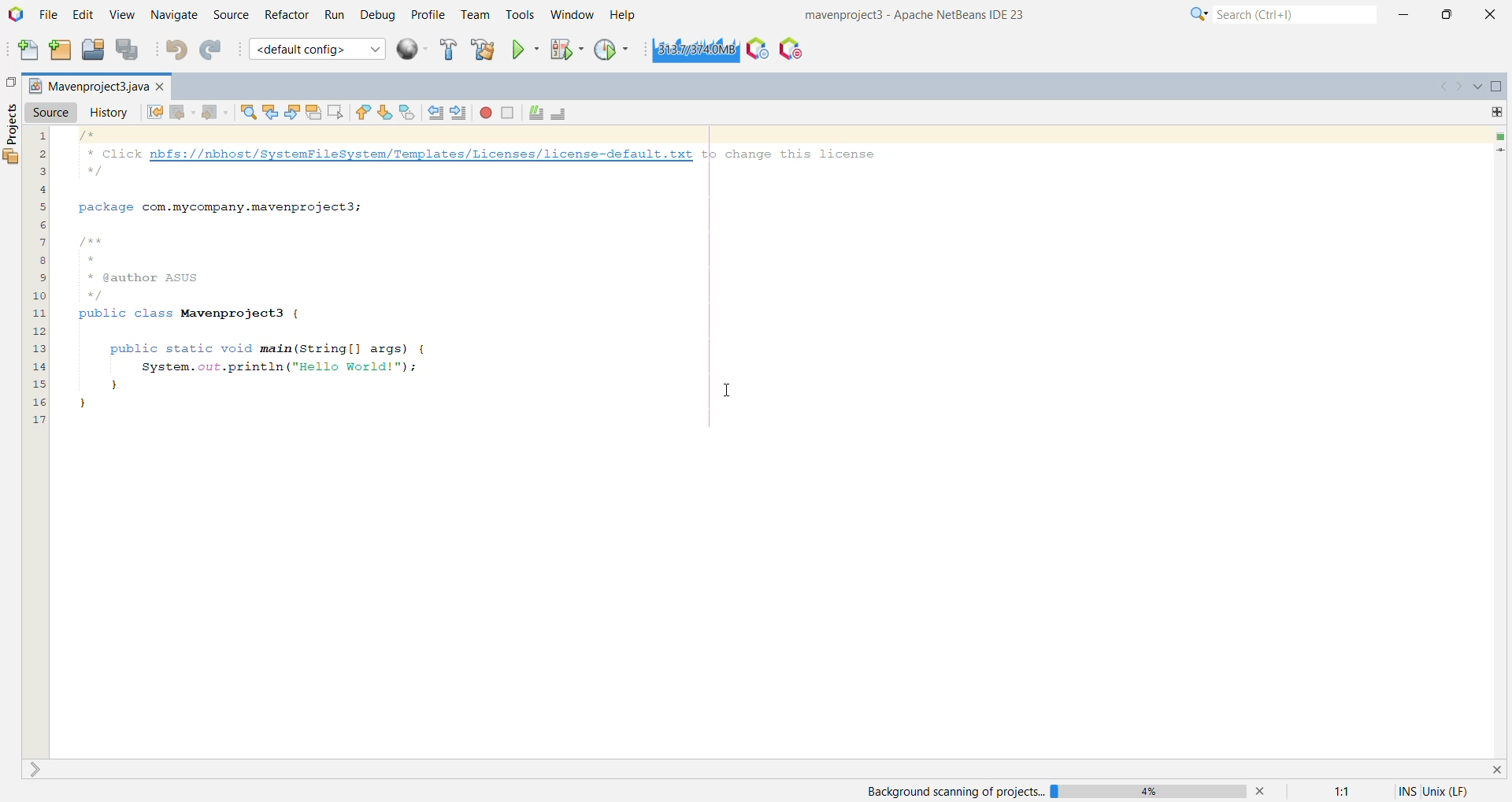 This screenshot has width=1512, height=802. I want to click on Profile the IDE, so click(757, 51).